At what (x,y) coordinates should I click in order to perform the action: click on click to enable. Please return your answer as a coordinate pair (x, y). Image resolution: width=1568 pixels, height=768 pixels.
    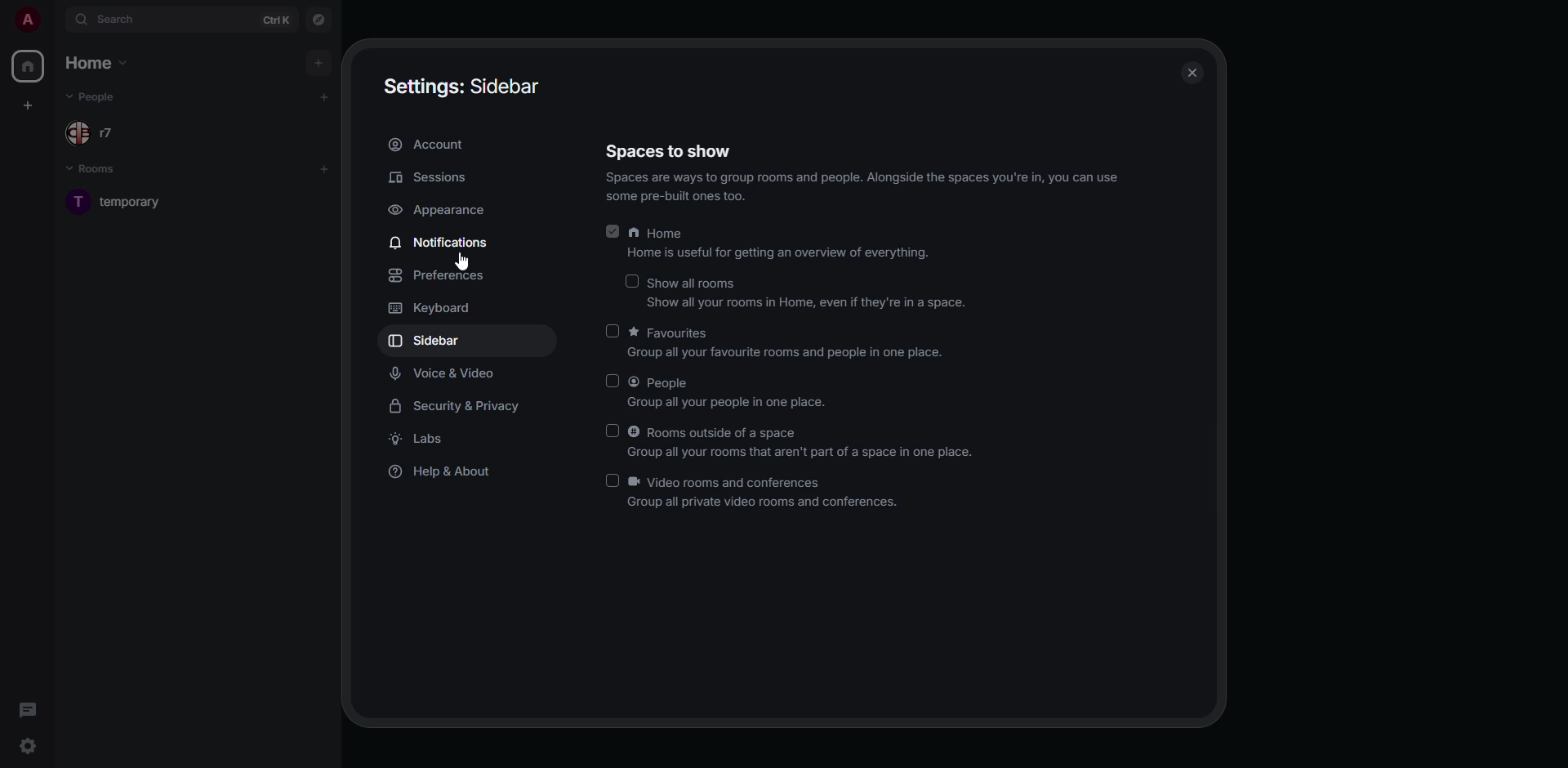
    Looking at the image, I should click on (611, 430).